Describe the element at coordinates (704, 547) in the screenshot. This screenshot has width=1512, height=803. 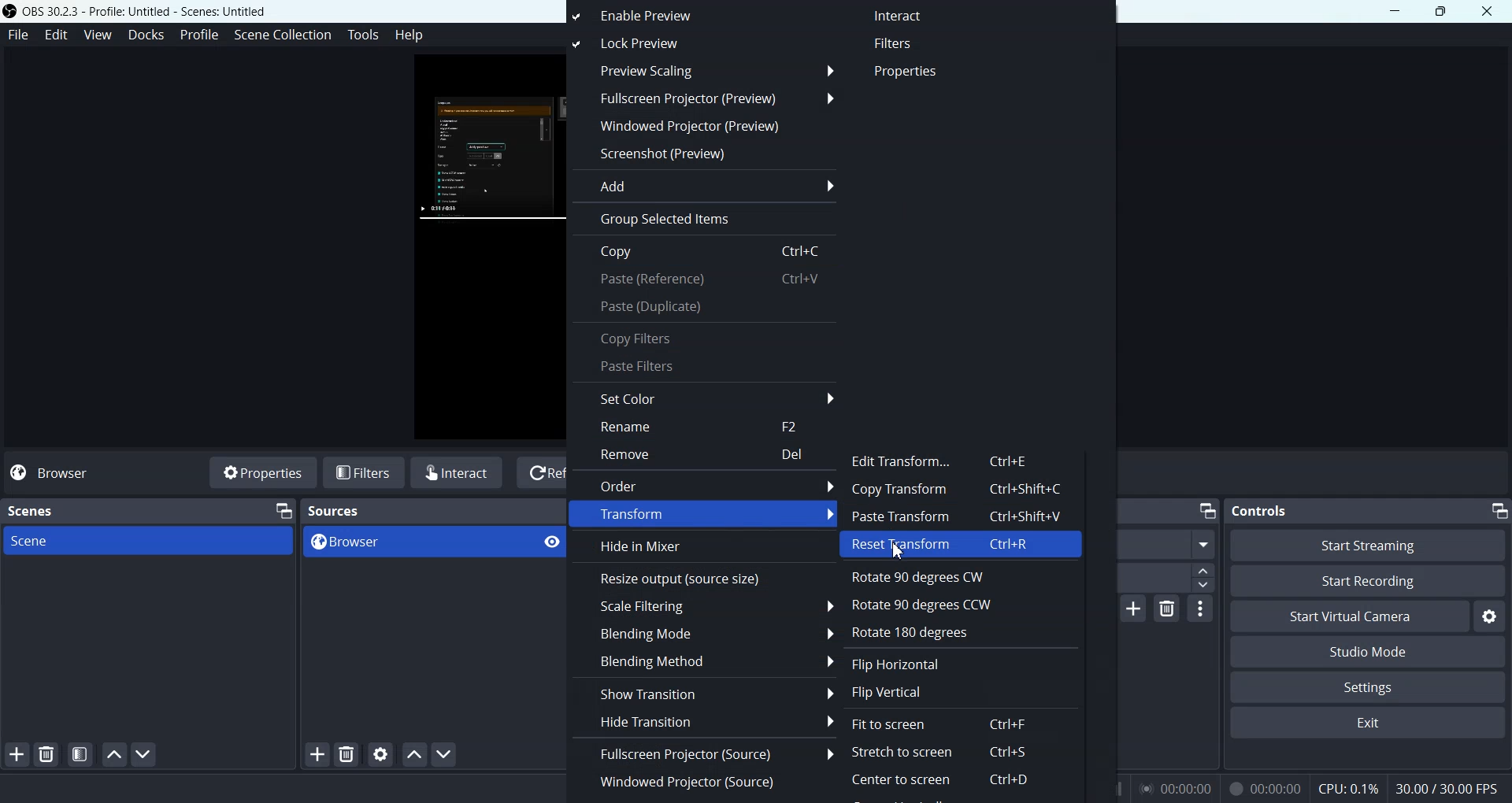
I see `Hide In Mixer` at that location.